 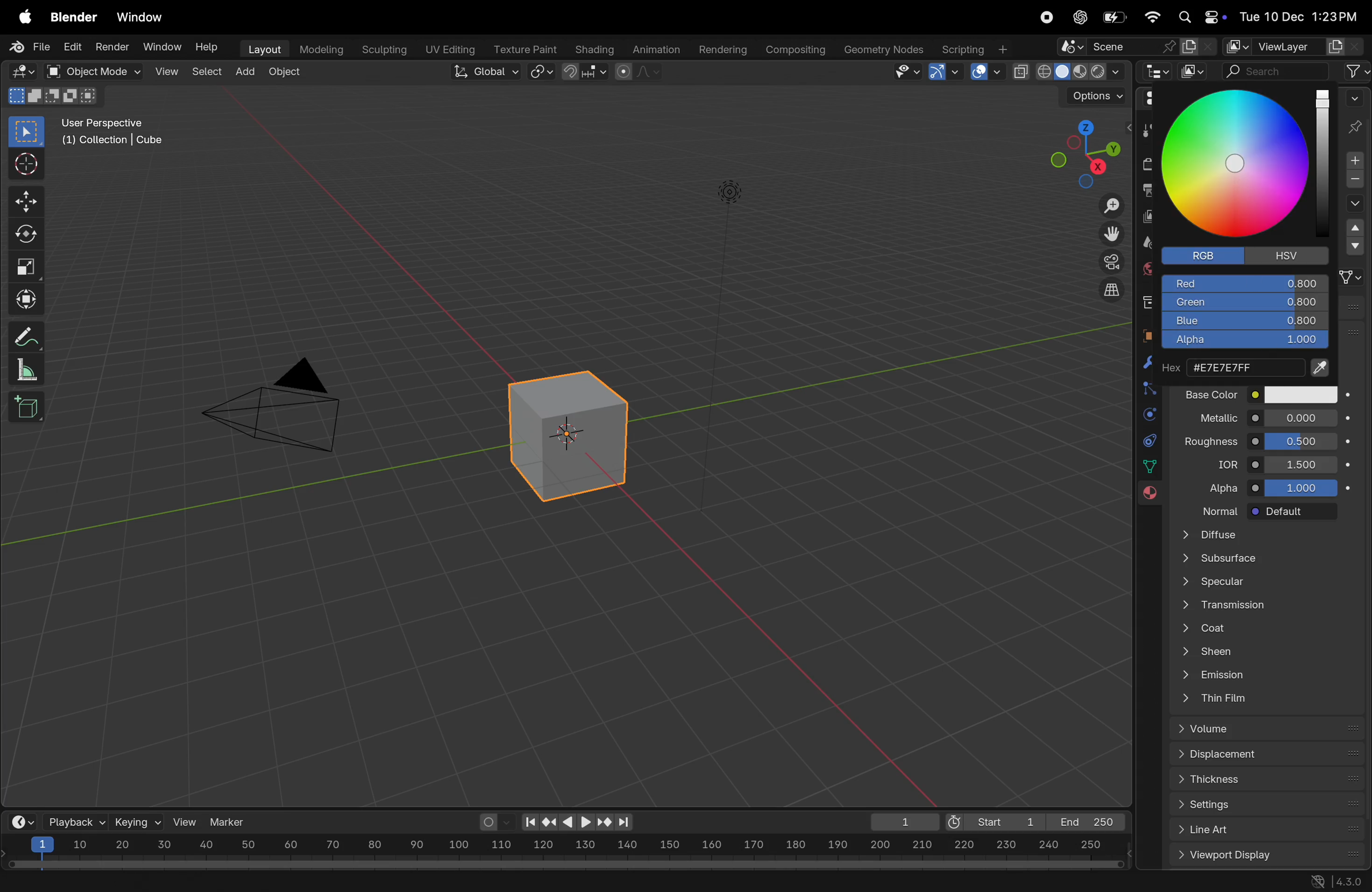 I want to click on orthographic view, so click(x=1113, y=289).